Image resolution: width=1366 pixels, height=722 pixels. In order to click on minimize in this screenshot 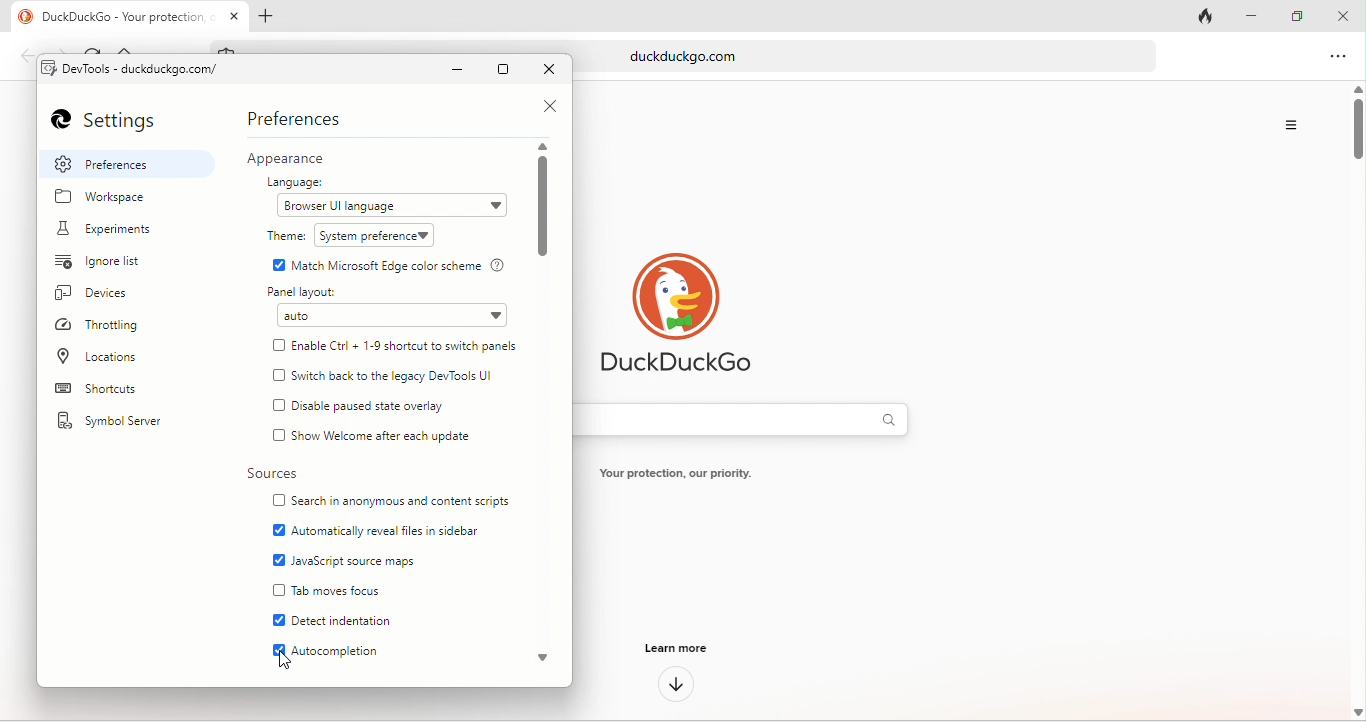, I will do `click(461, 70)`.